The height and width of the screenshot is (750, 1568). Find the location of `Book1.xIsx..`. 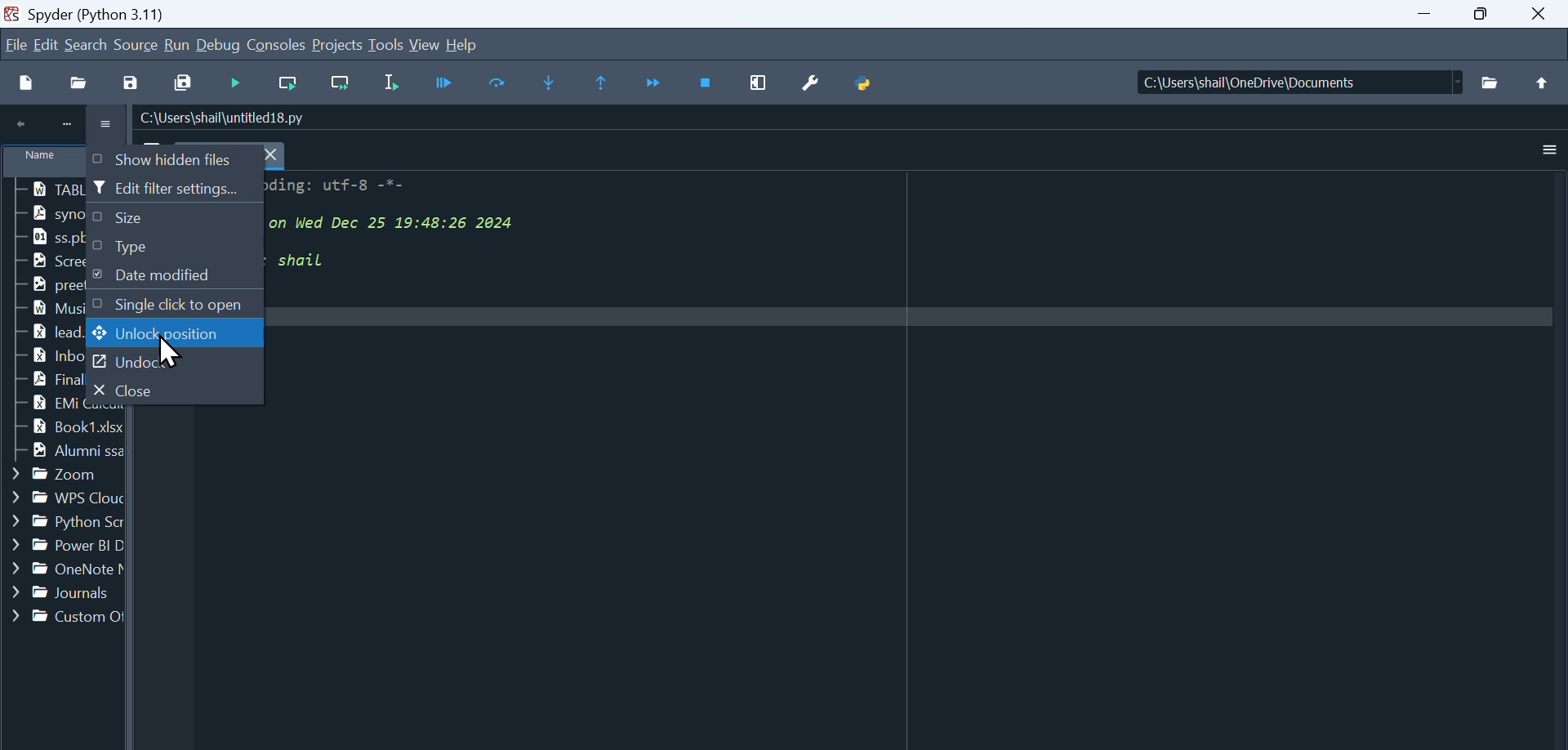

Book1.xIsx.. is located at coordinates (64, 427).